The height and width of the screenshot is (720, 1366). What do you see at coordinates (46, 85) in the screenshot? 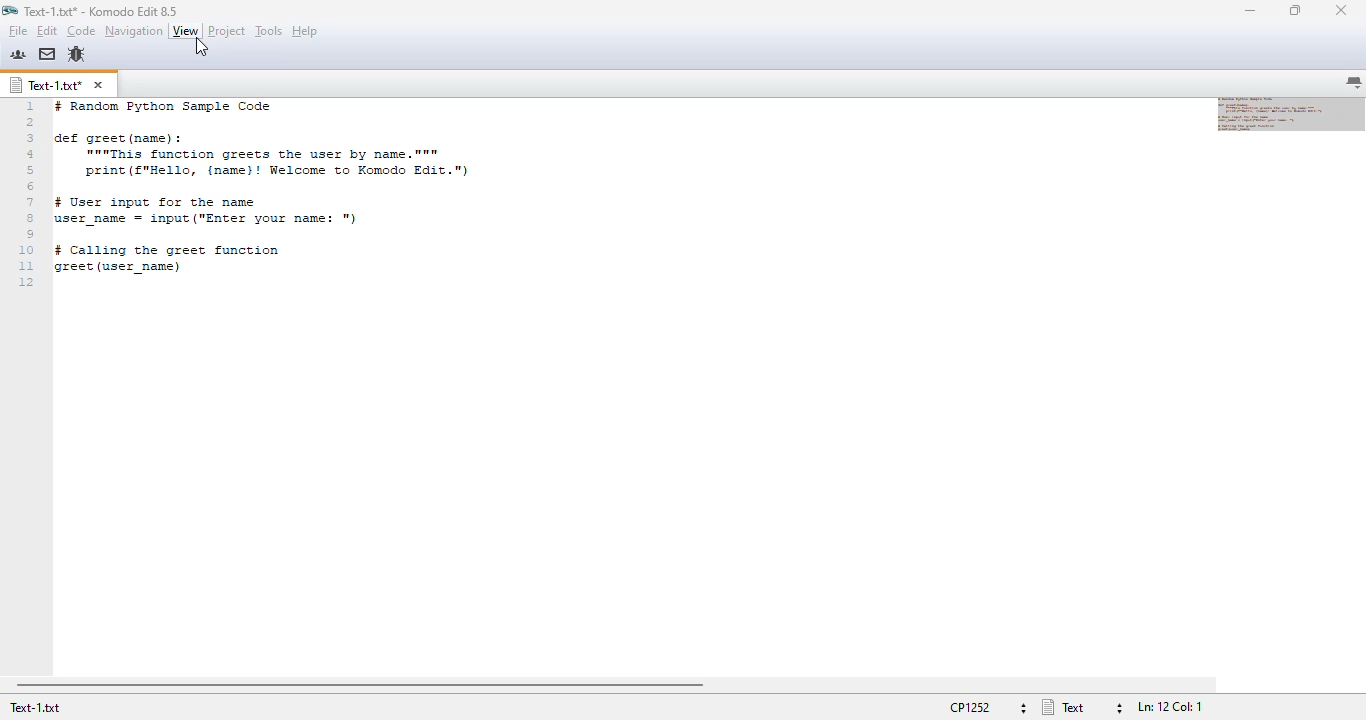
I see `text-1` at bounding box center [46, 85].